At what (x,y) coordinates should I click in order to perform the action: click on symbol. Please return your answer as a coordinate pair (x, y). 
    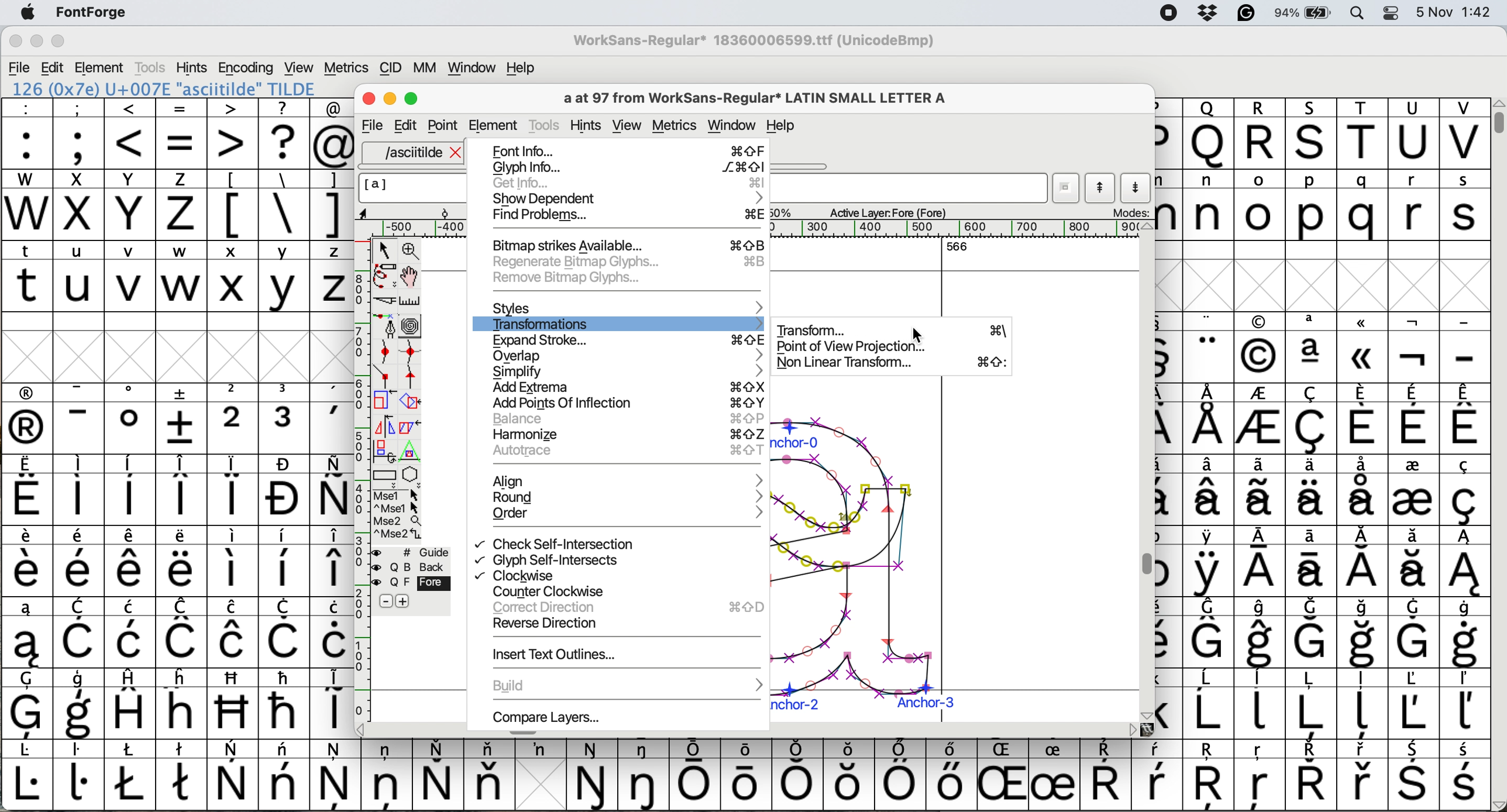
    Looking at the image, I should click on (28, 704).